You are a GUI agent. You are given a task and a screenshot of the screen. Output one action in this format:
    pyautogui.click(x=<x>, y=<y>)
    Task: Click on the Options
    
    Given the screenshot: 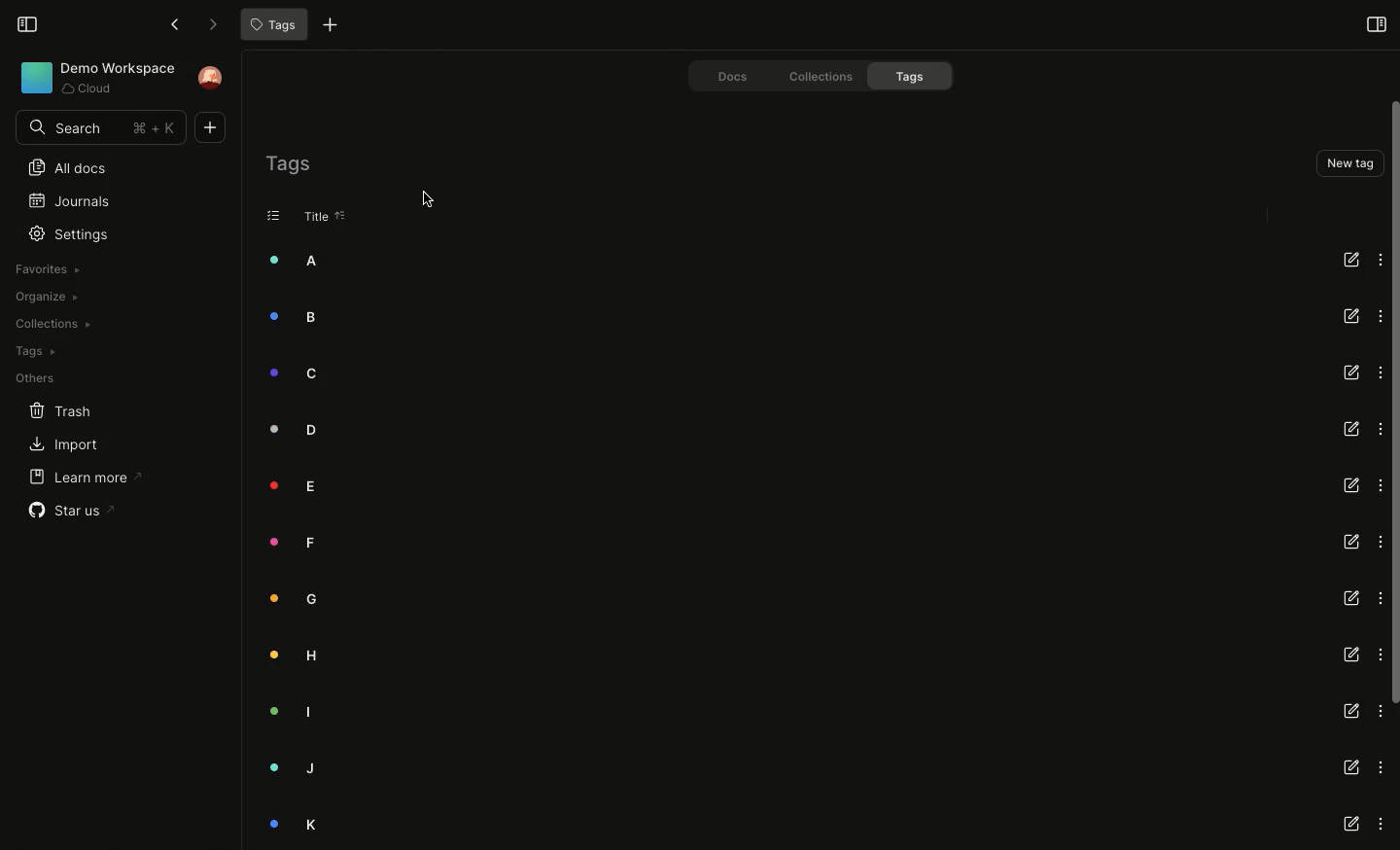 What is the action you would take?
    pyautogui.click(x=1379, y=655)
    